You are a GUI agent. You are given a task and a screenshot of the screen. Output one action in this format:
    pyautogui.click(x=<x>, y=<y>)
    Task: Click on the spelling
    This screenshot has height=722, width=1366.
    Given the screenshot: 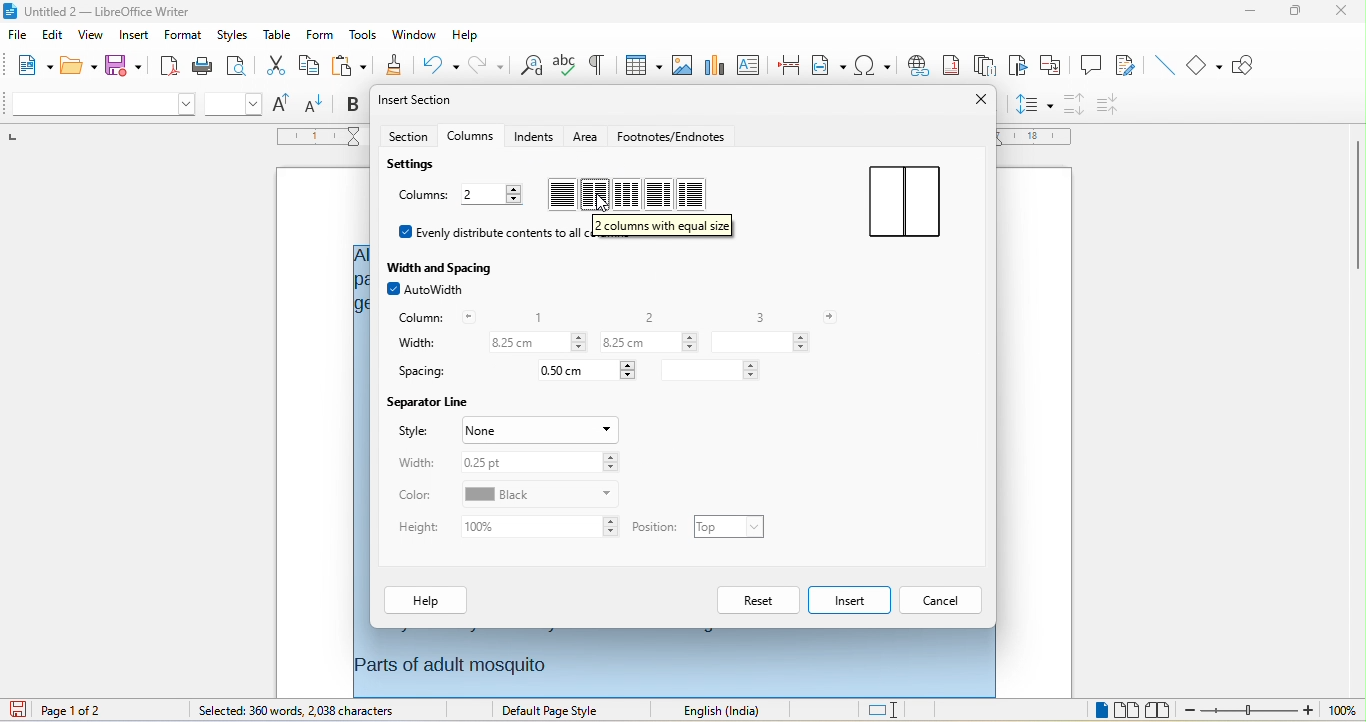 What is the action you would take?
    pyautogui.click(x=567, y=66)
    